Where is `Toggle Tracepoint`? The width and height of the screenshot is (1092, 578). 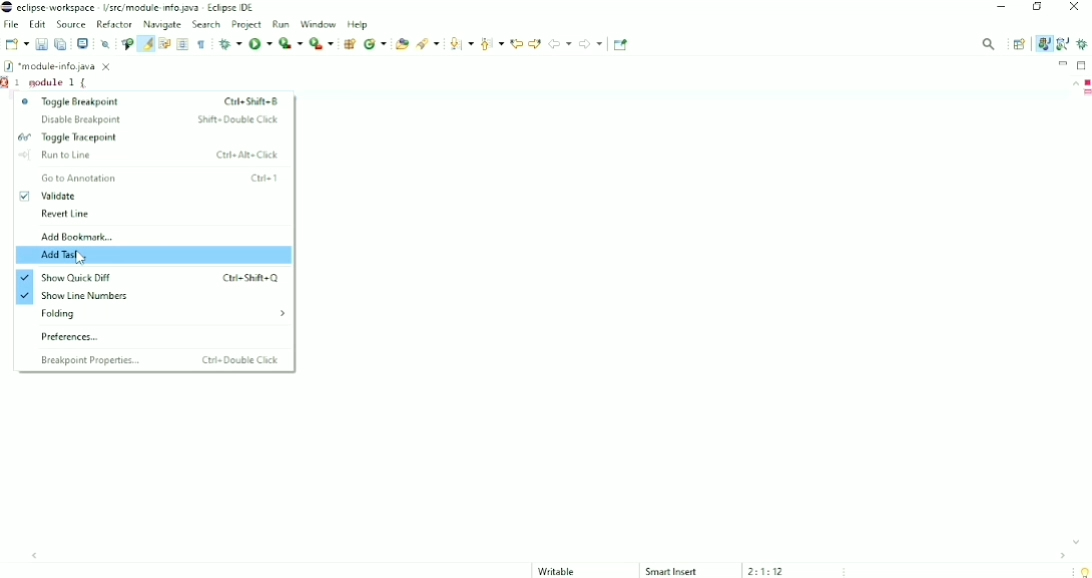
Toggle Tracepoint is located at coordinates (67, 138).